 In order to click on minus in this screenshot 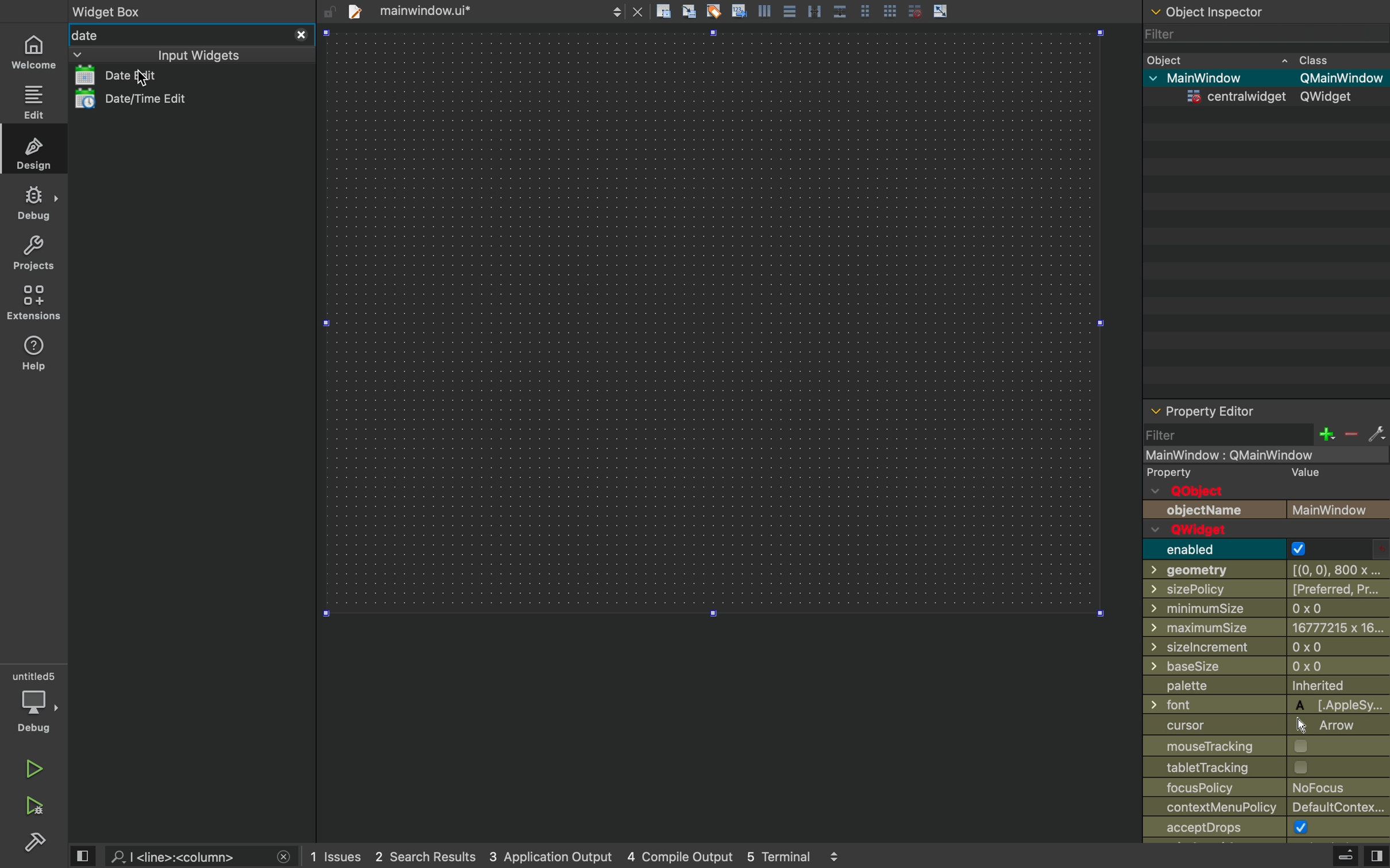, I will do `click(1351, 433)`.